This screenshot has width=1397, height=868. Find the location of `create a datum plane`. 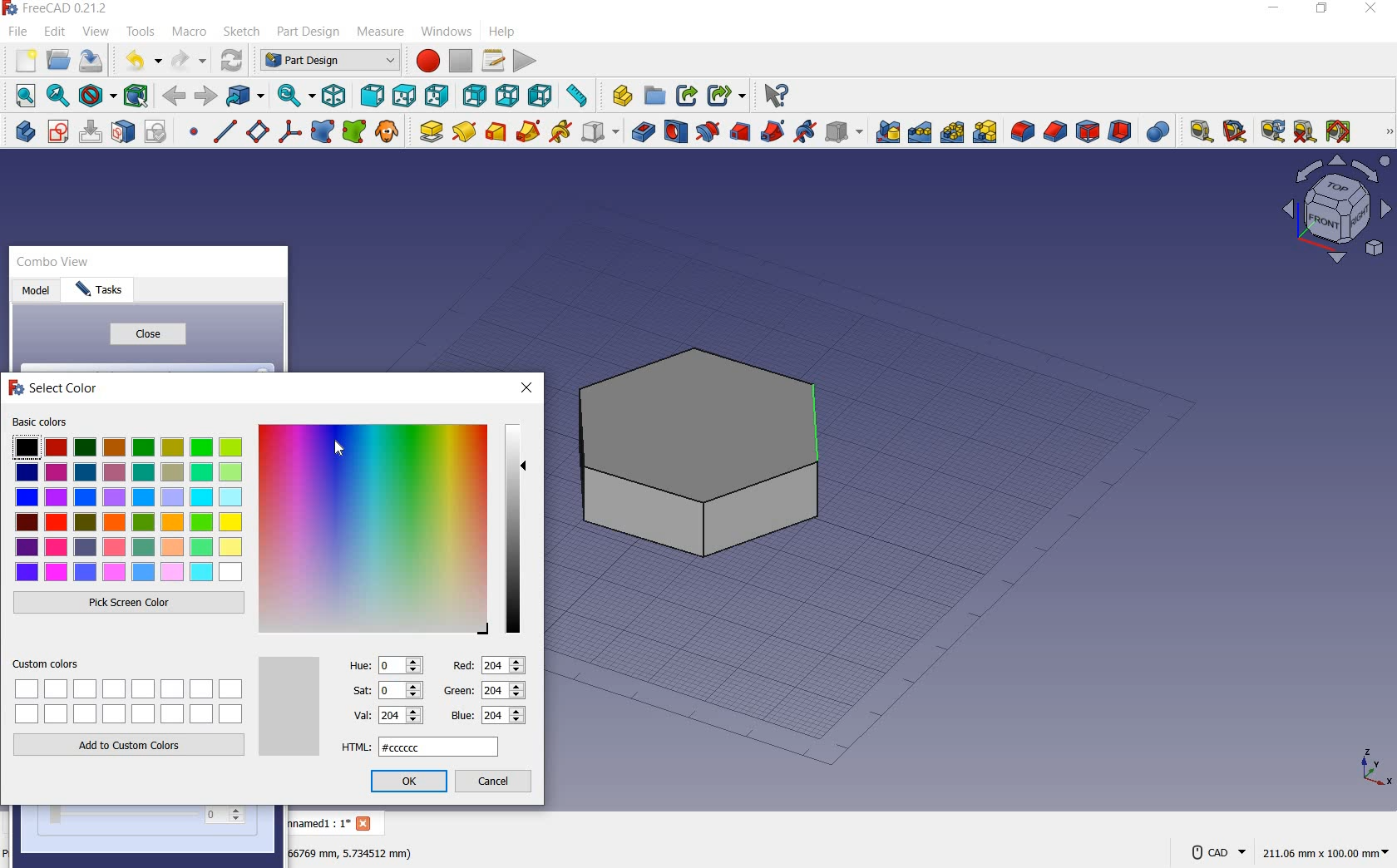

create a datum plane is located at coordinates (256, 132).